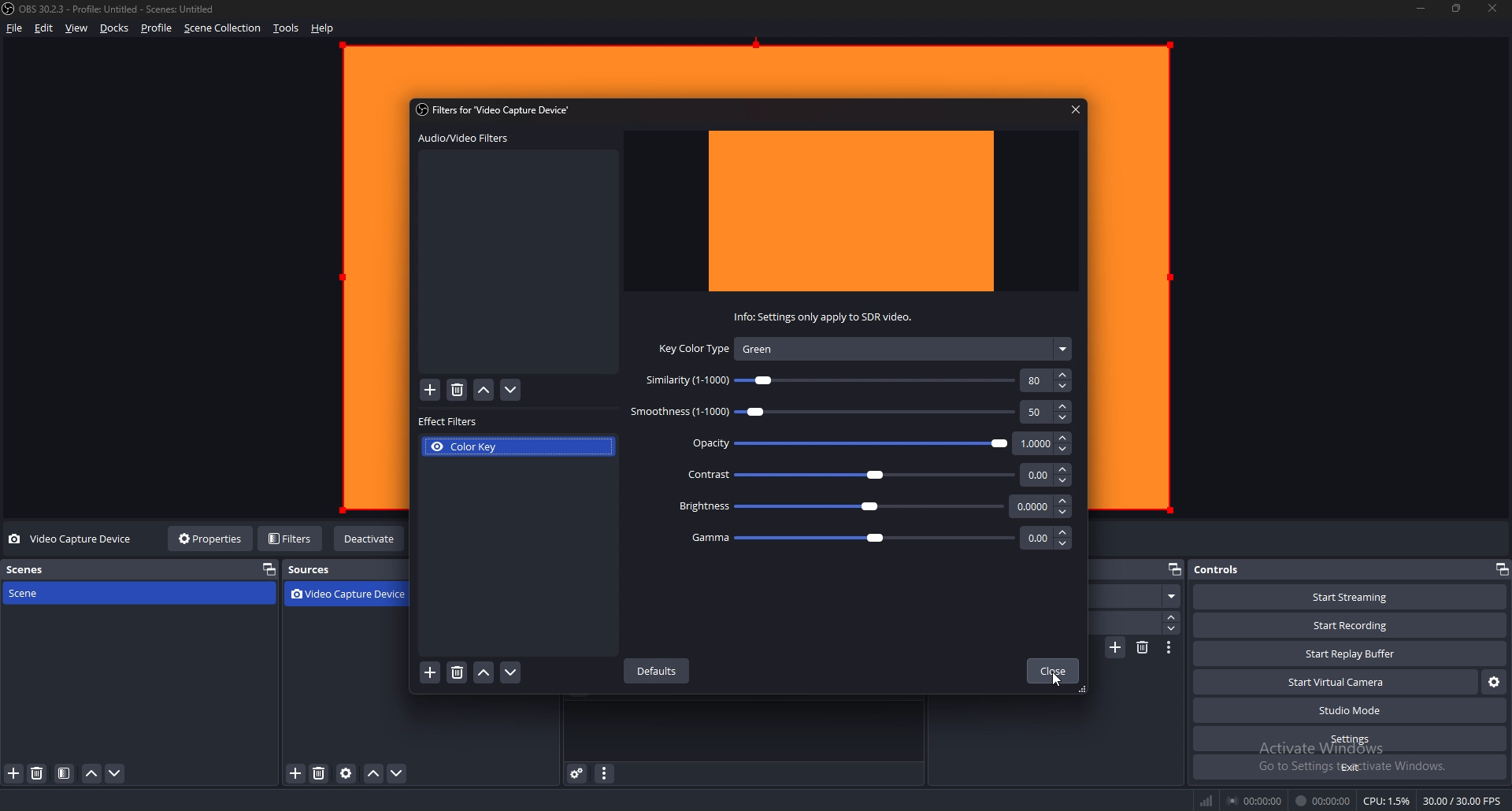  What do you see at coordinates (1173, 628) in the screenshot?
I see `decrease duration` at bounding box center [1173, 628].